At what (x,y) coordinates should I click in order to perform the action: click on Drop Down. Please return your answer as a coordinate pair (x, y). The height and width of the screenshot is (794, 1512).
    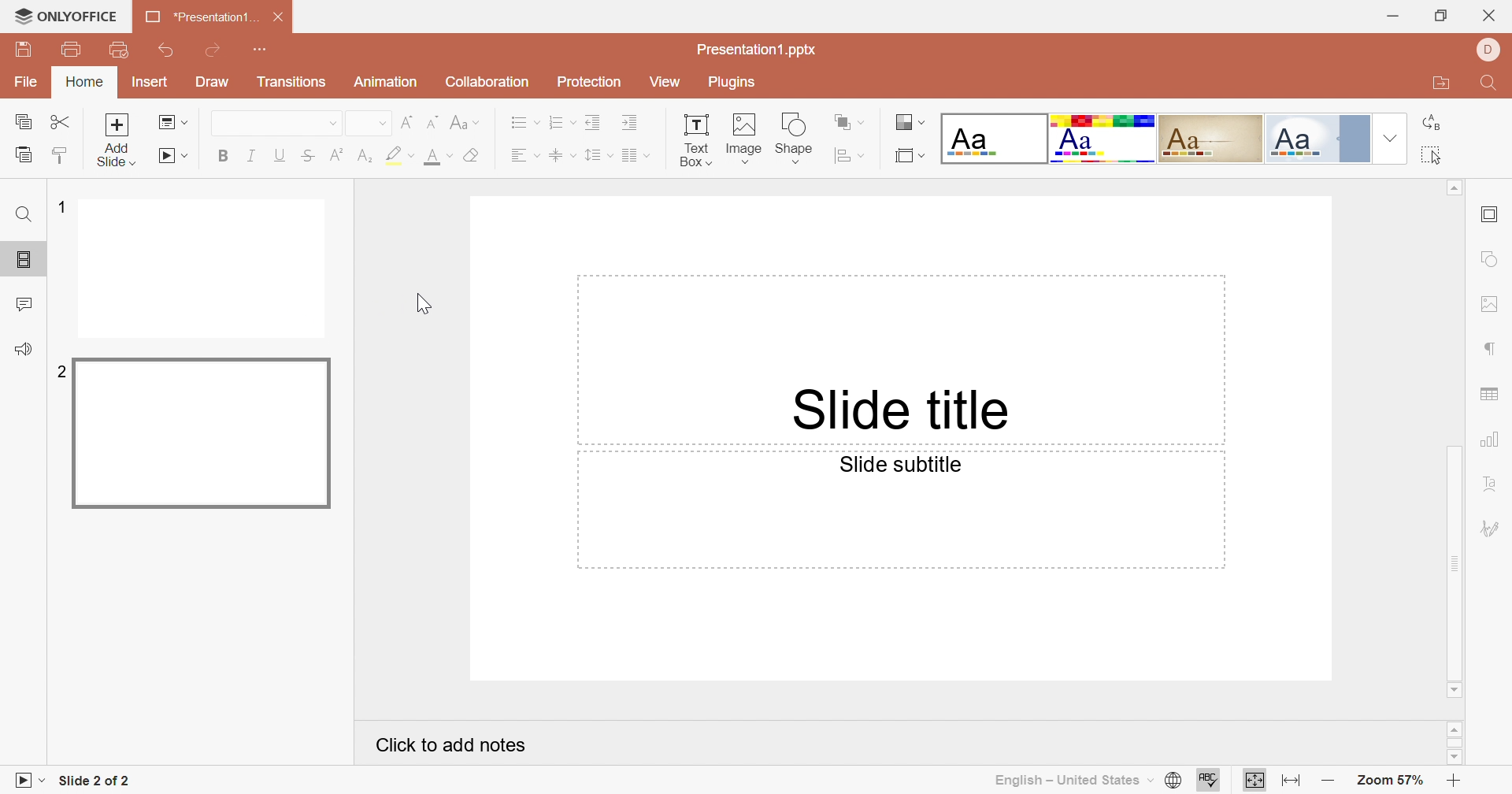
    Looking at the image, I should click on (1389, 138).